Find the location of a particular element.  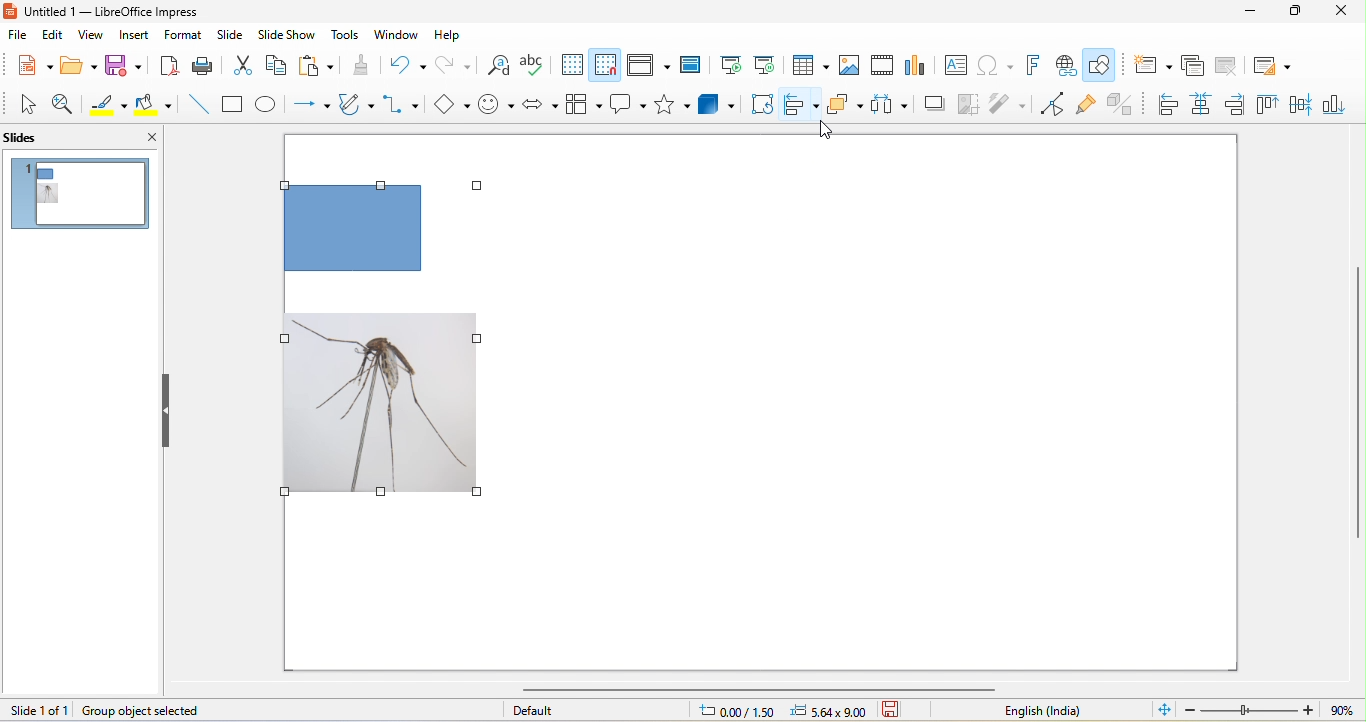

default is located at coordinates (569, 711).